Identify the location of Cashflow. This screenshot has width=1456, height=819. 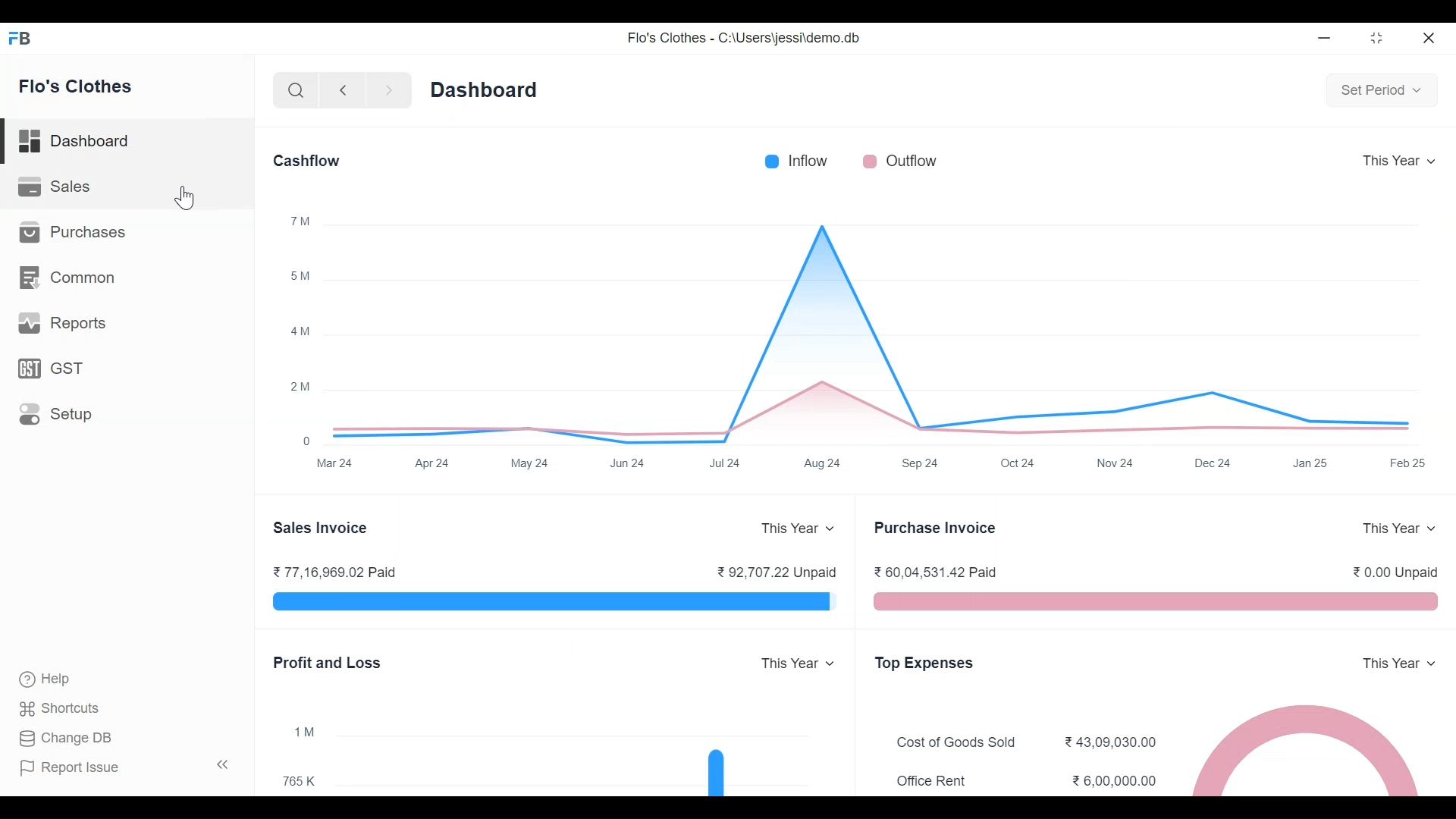
(306, 160).